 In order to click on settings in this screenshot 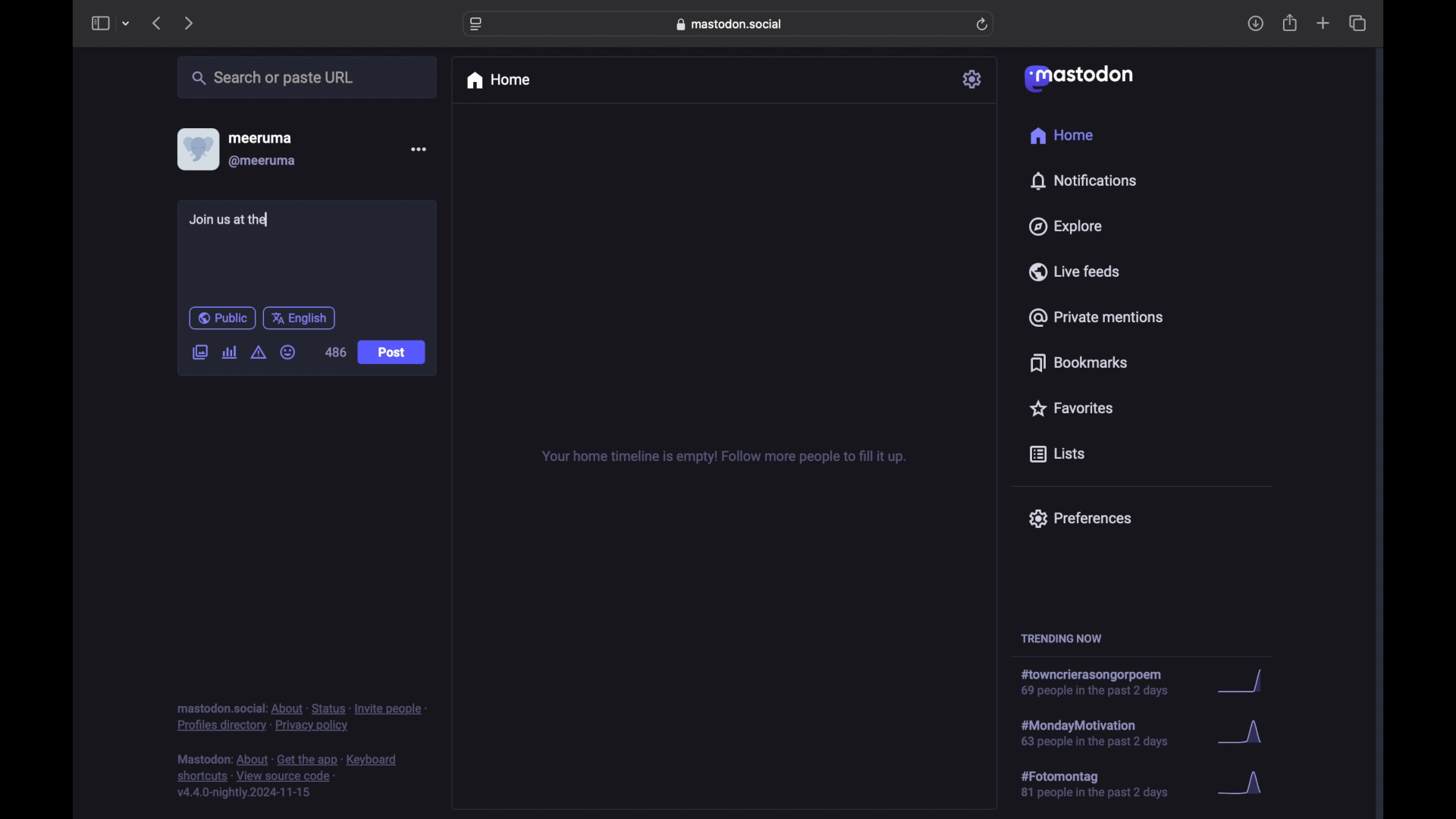, I will do `click(974, 79)`.